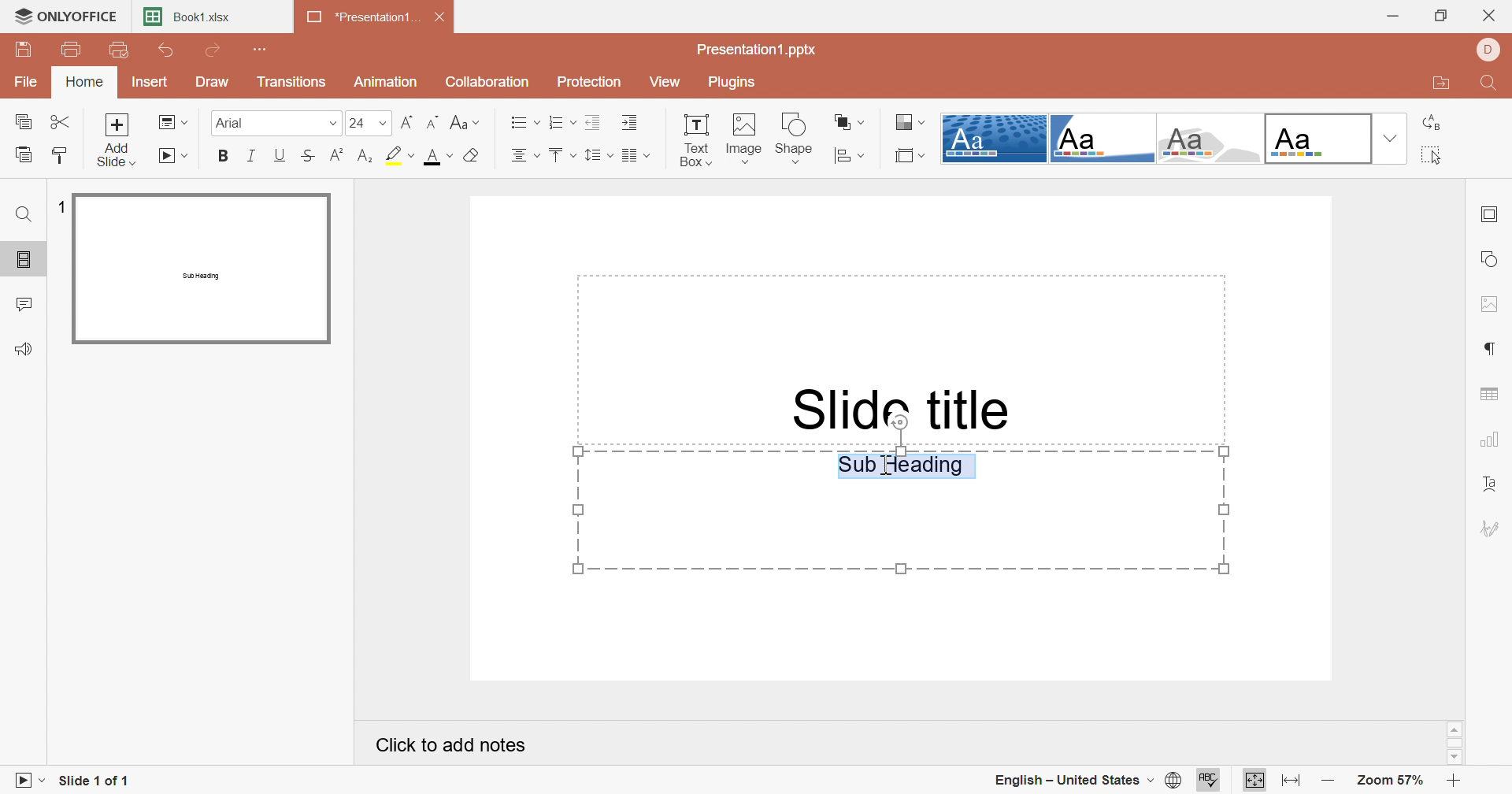 The height and width of the screenshot is (794, 1512). I want to click on Decrease Indent, so click(594, 121).